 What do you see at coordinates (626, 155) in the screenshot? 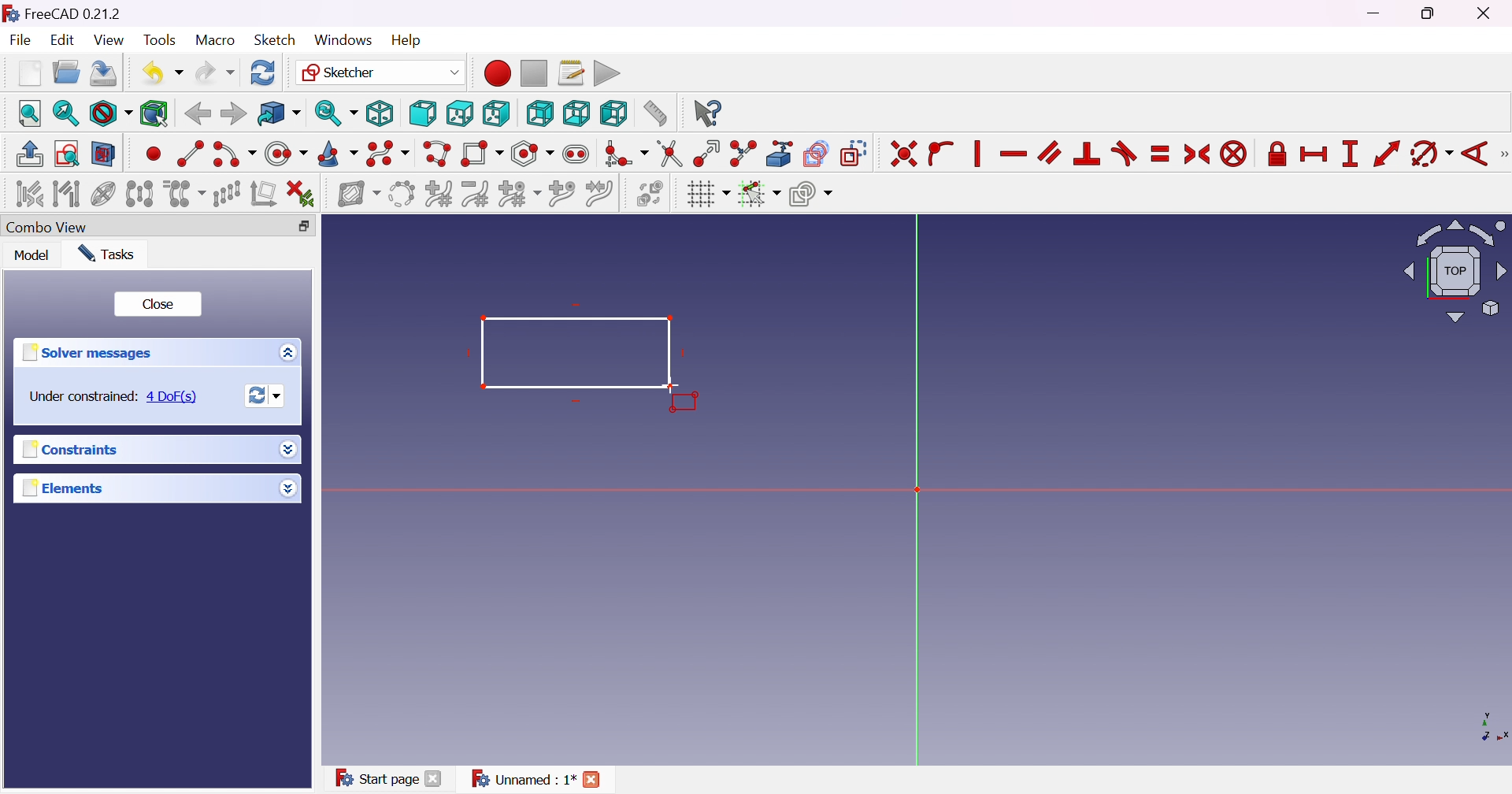
I see `Create fillet` at bounding box center [626, 155].